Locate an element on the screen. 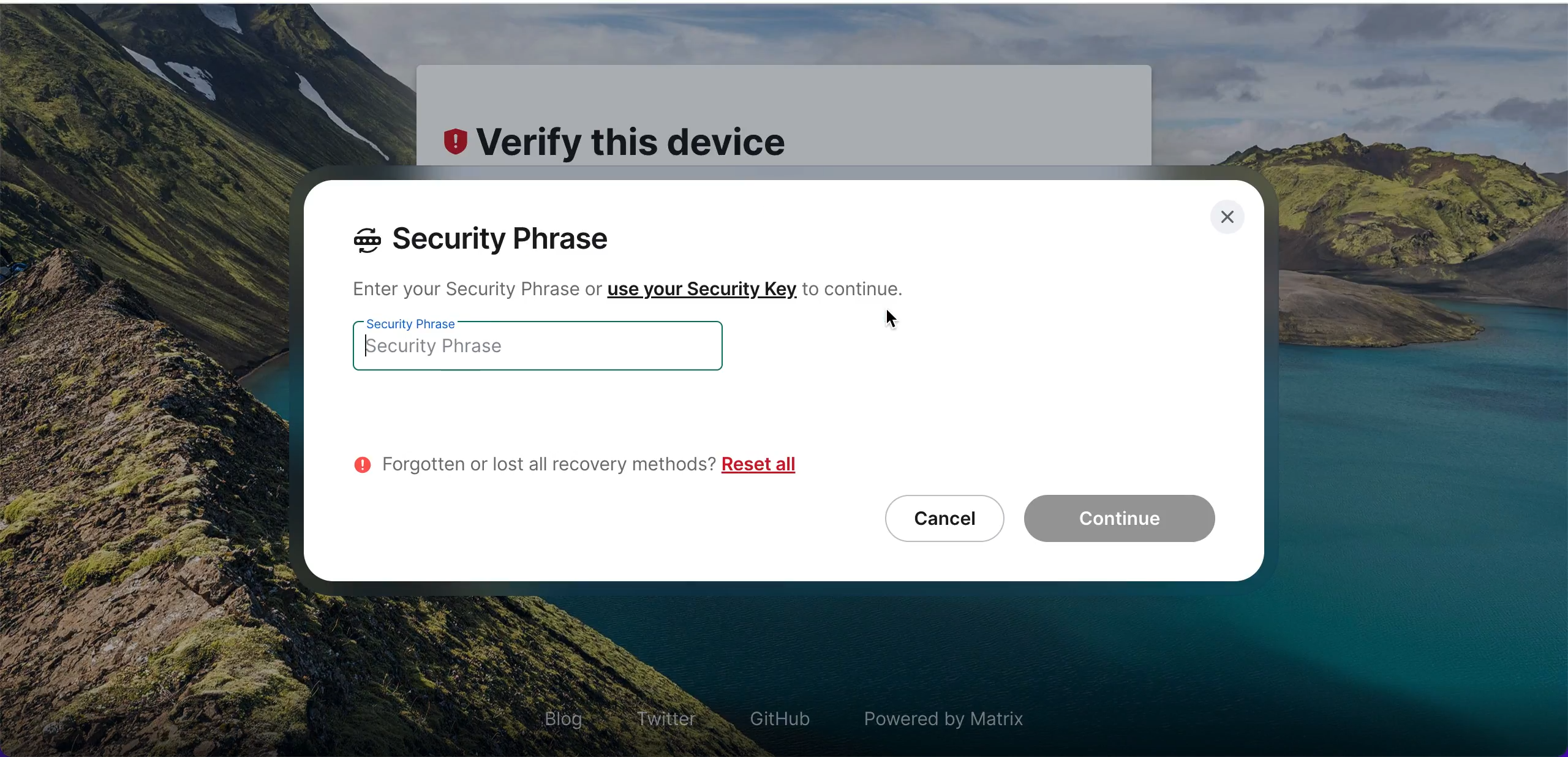 The width and height of the screenshot is (1568, 757). blog is located at coordinates (560, 717).